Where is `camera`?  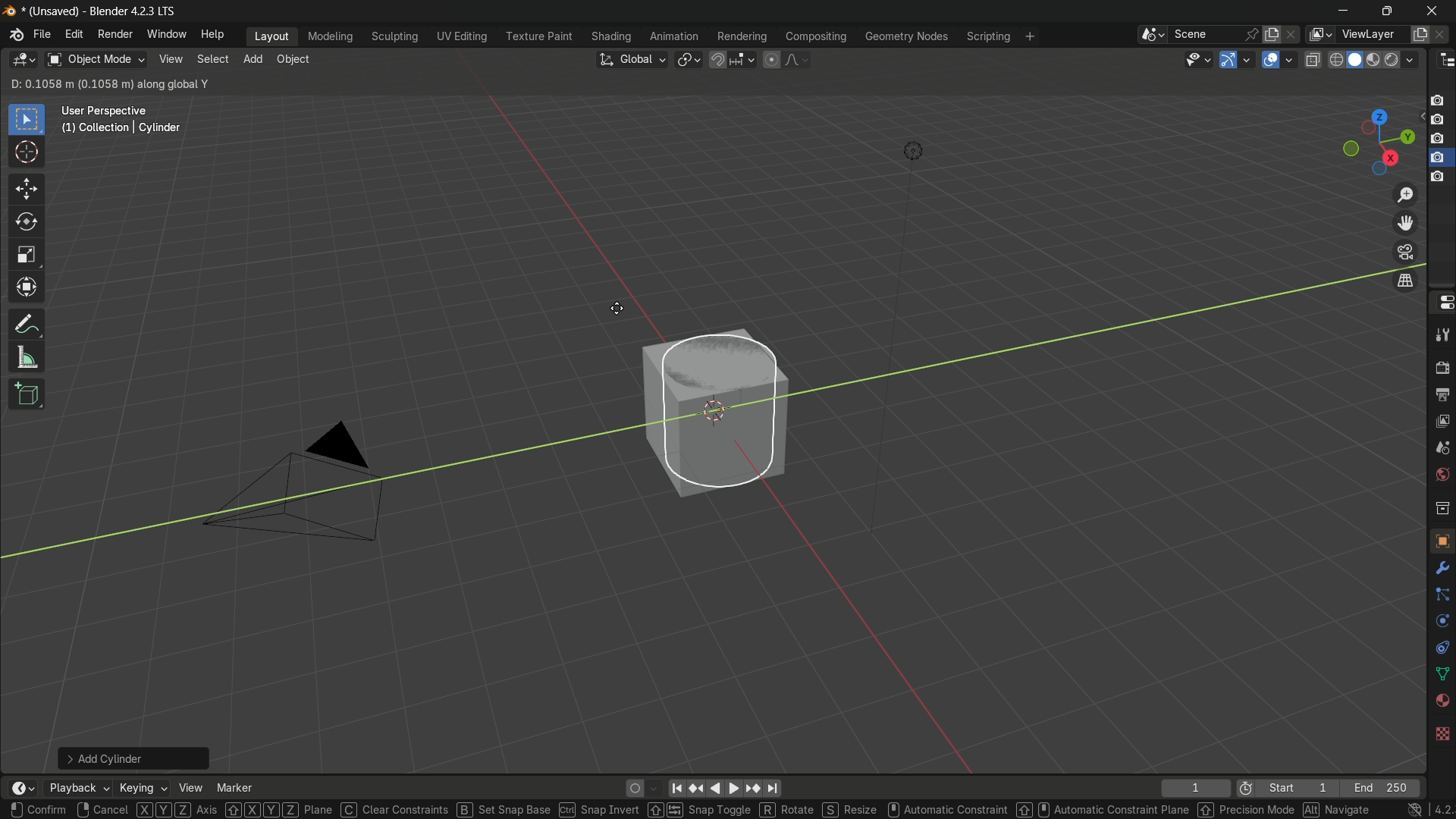 camera is located at coordinates (292, 480).